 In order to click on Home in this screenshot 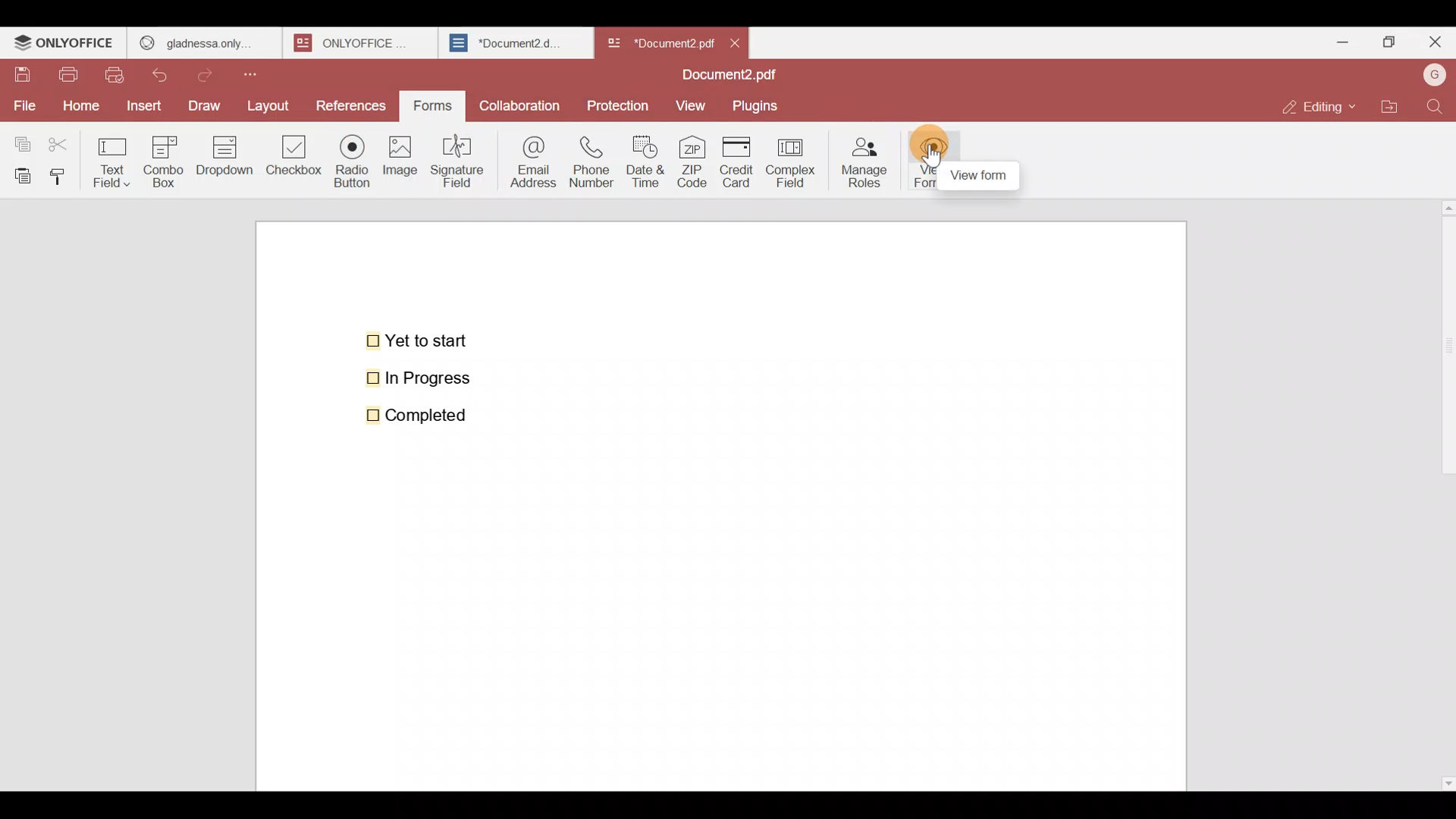, I will do `click(78, 105)`.